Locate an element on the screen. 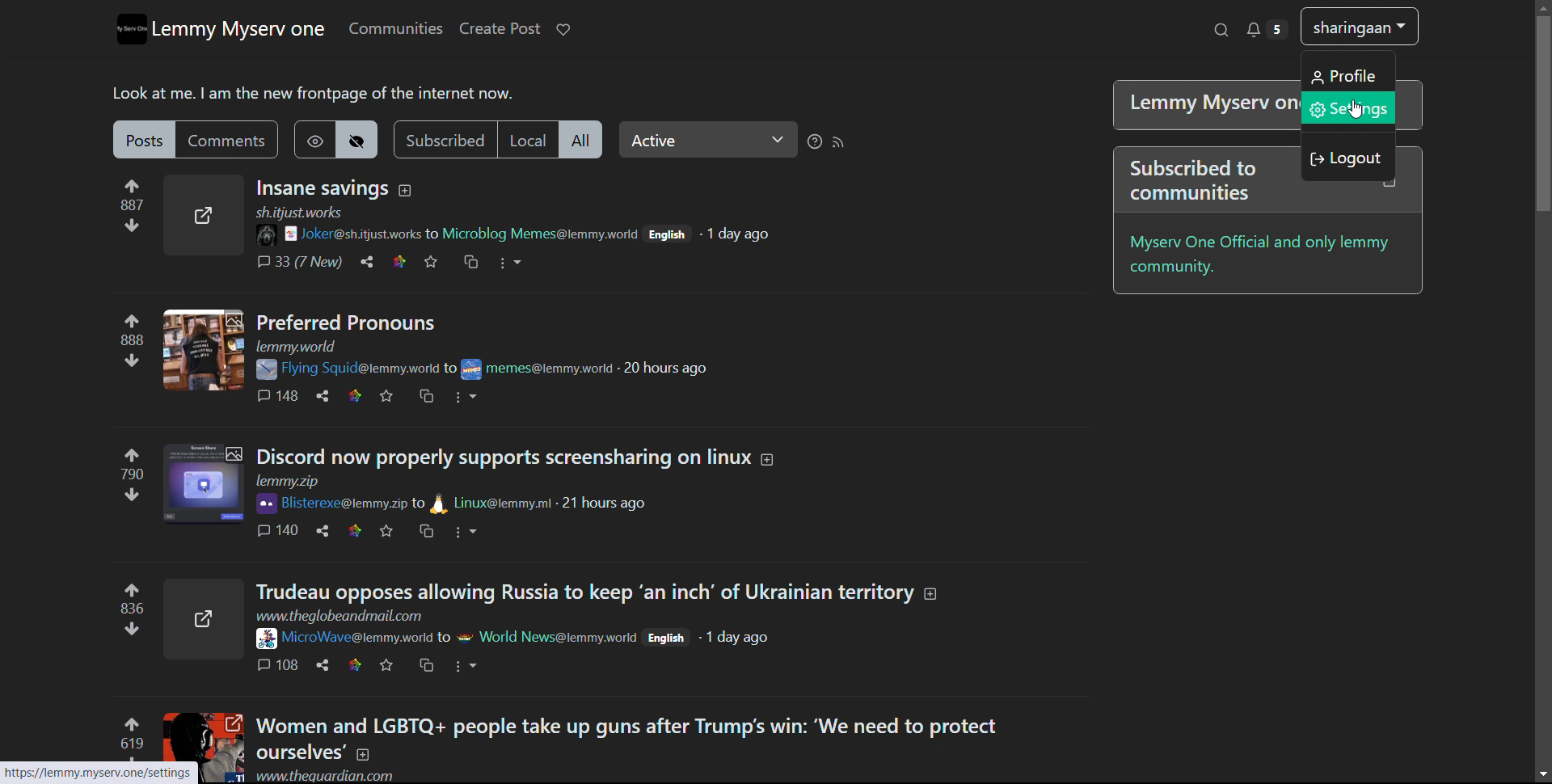 This screenshot has width=1552, height=784. expand here is located at coordinates (203, 349).